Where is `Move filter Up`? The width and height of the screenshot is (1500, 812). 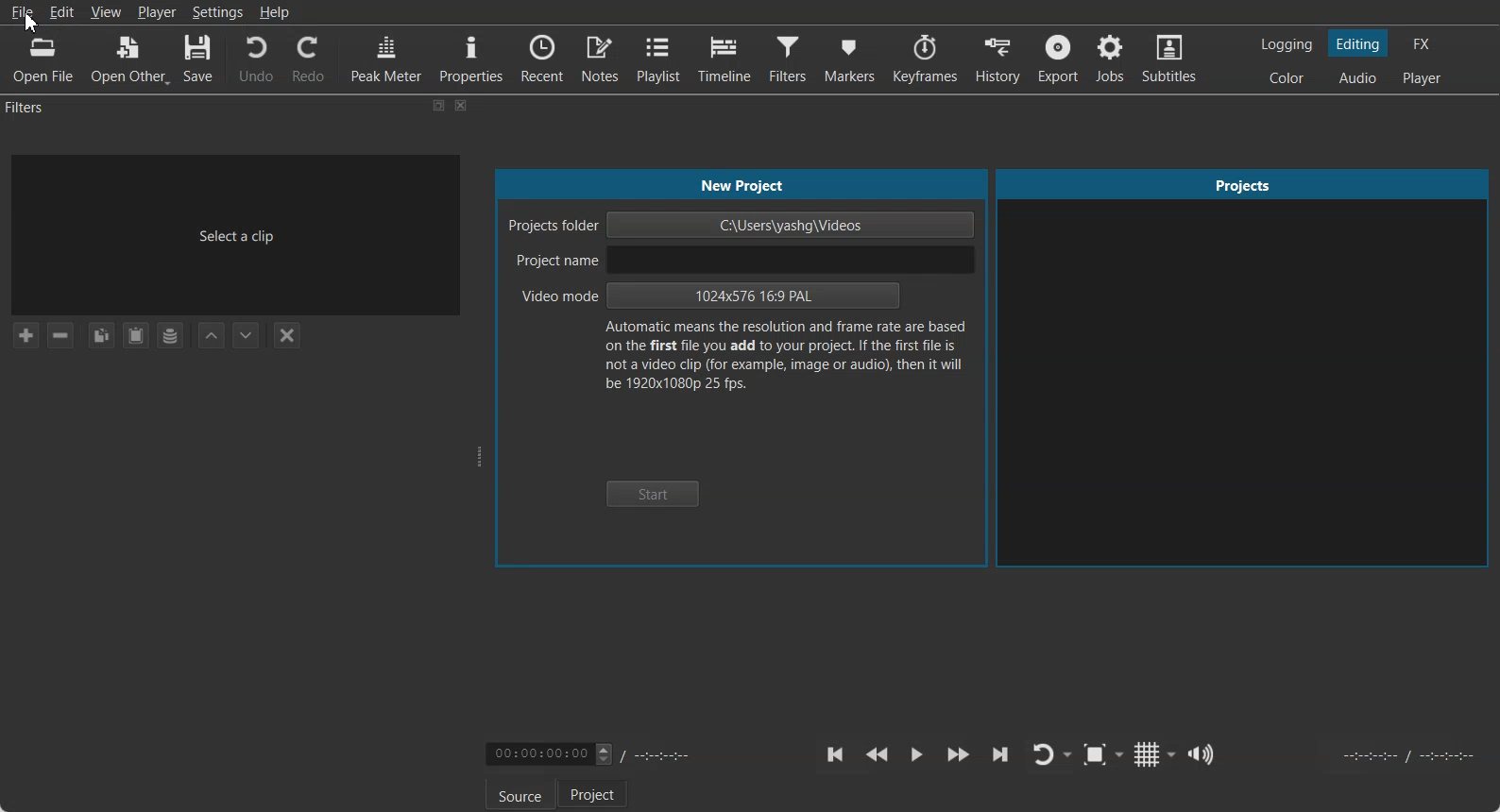
Move filter Up is located at coordinates (212, 335).